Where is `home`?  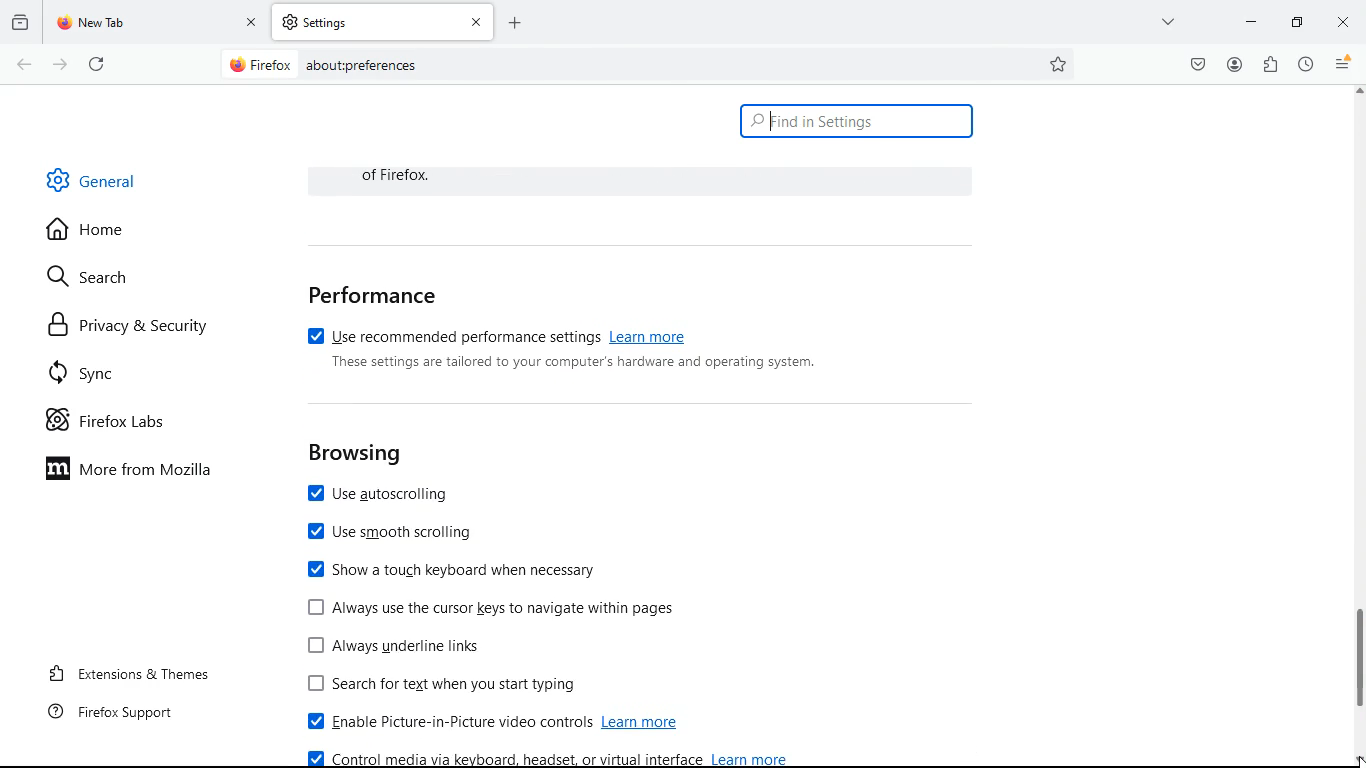 home is located at coordinates (95, 232).